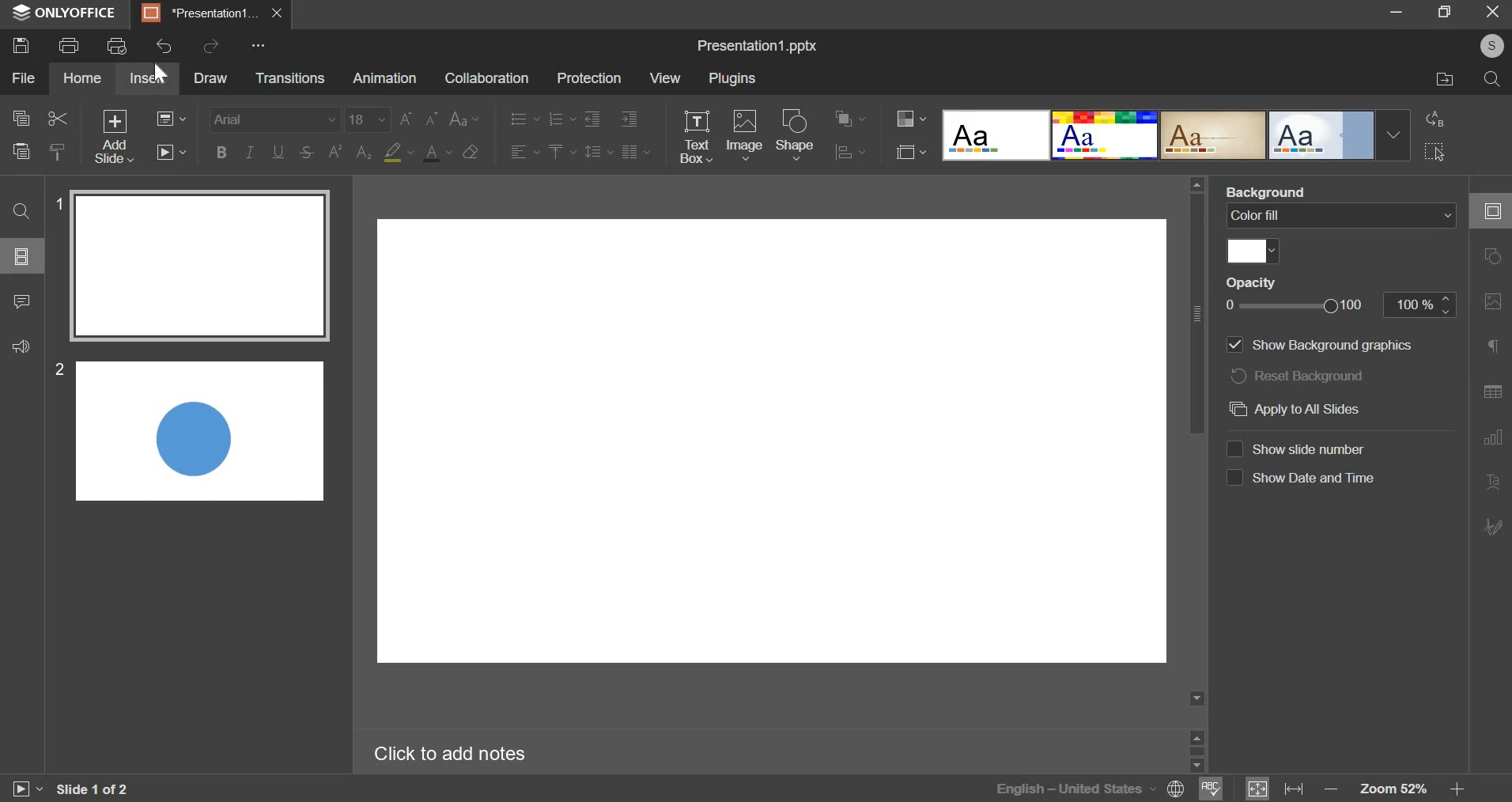 This screenshot has height=802, width=1512. What do you see at coordinates (168, 44) in the screenshot?
I see `undo` at bounding box center [168, 44].